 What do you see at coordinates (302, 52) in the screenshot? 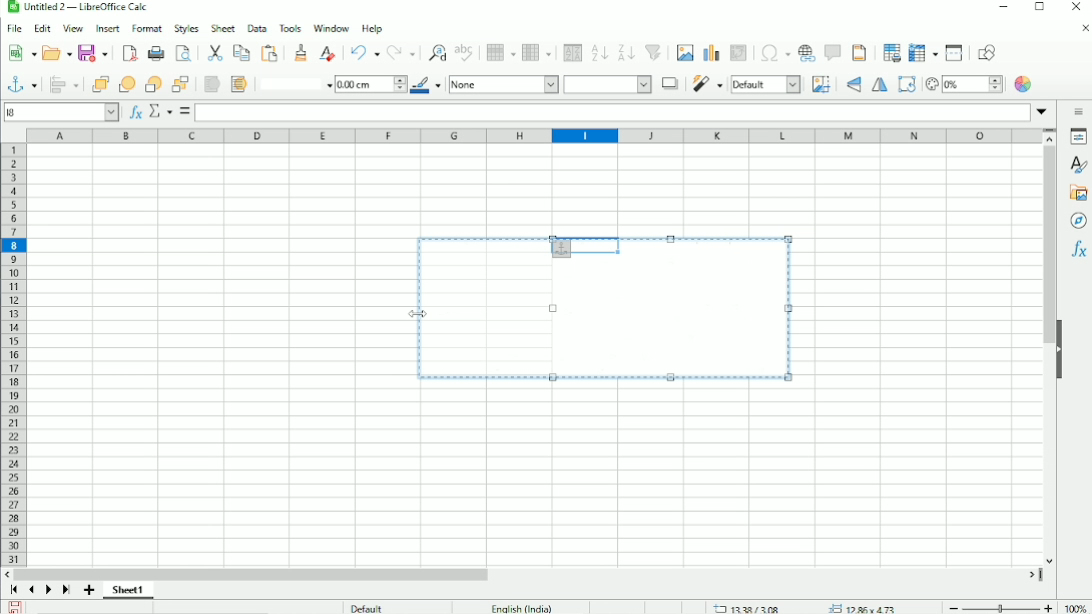
I see `Clone formatting` at bounding box center [302, 52].